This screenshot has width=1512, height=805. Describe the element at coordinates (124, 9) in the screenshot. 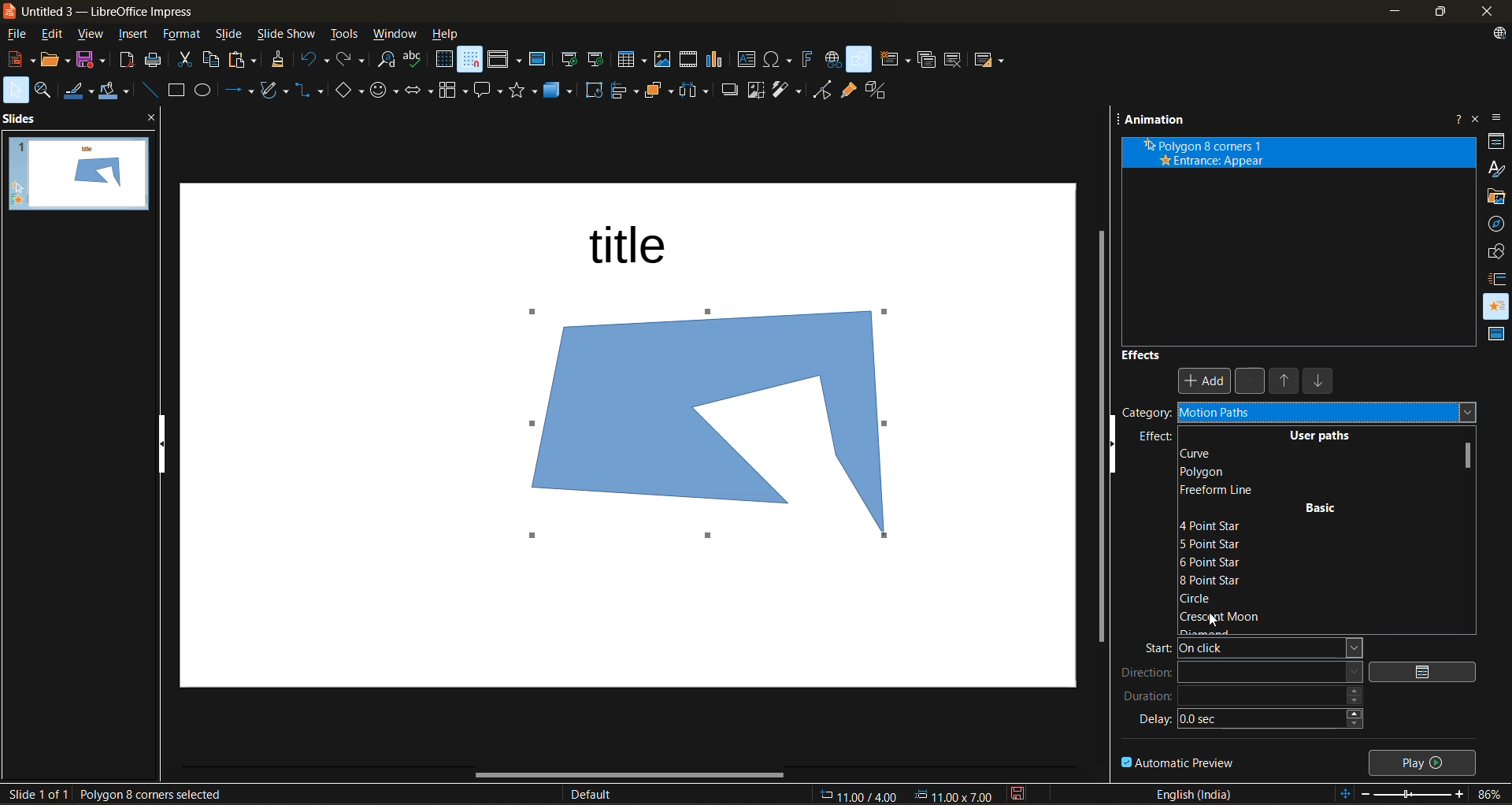

I see `untitled 3 - LibreOffice Impress` at that location.